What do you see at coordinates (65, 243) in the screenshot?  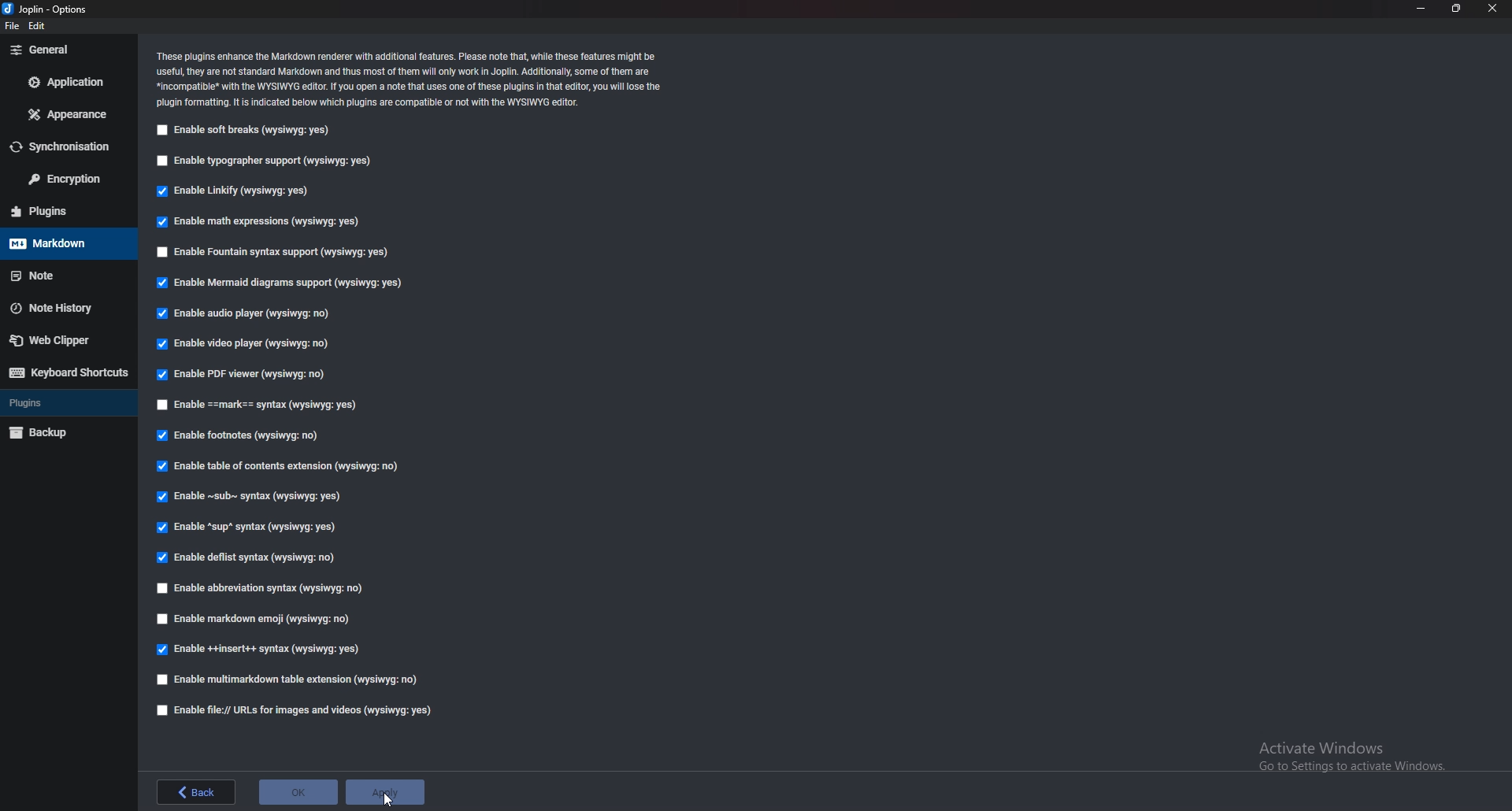 I see `mark down` at bounding box center [65, 243].